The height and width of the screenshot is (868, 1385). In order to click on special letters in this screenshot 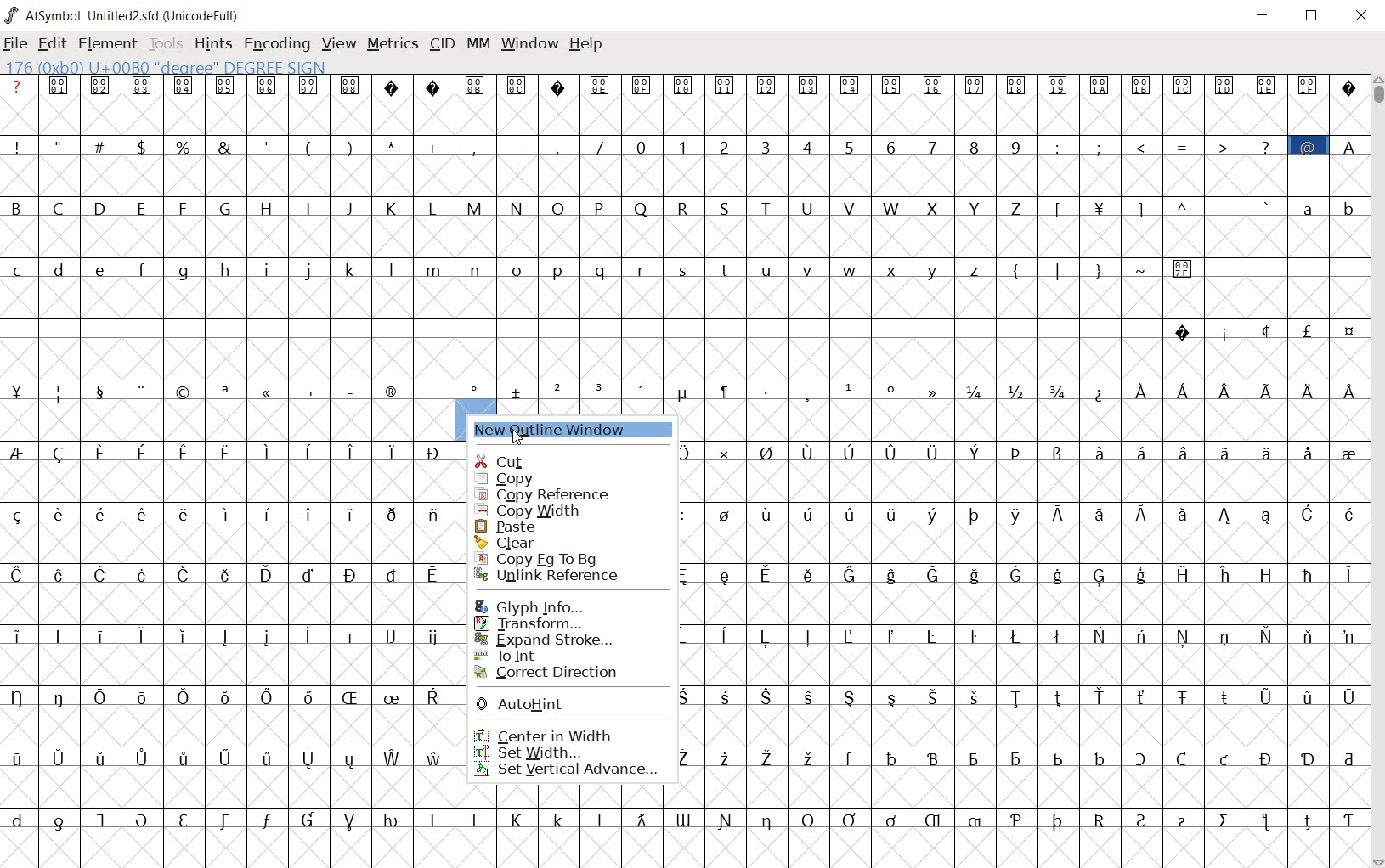, I will do `click(1021, 573)`.